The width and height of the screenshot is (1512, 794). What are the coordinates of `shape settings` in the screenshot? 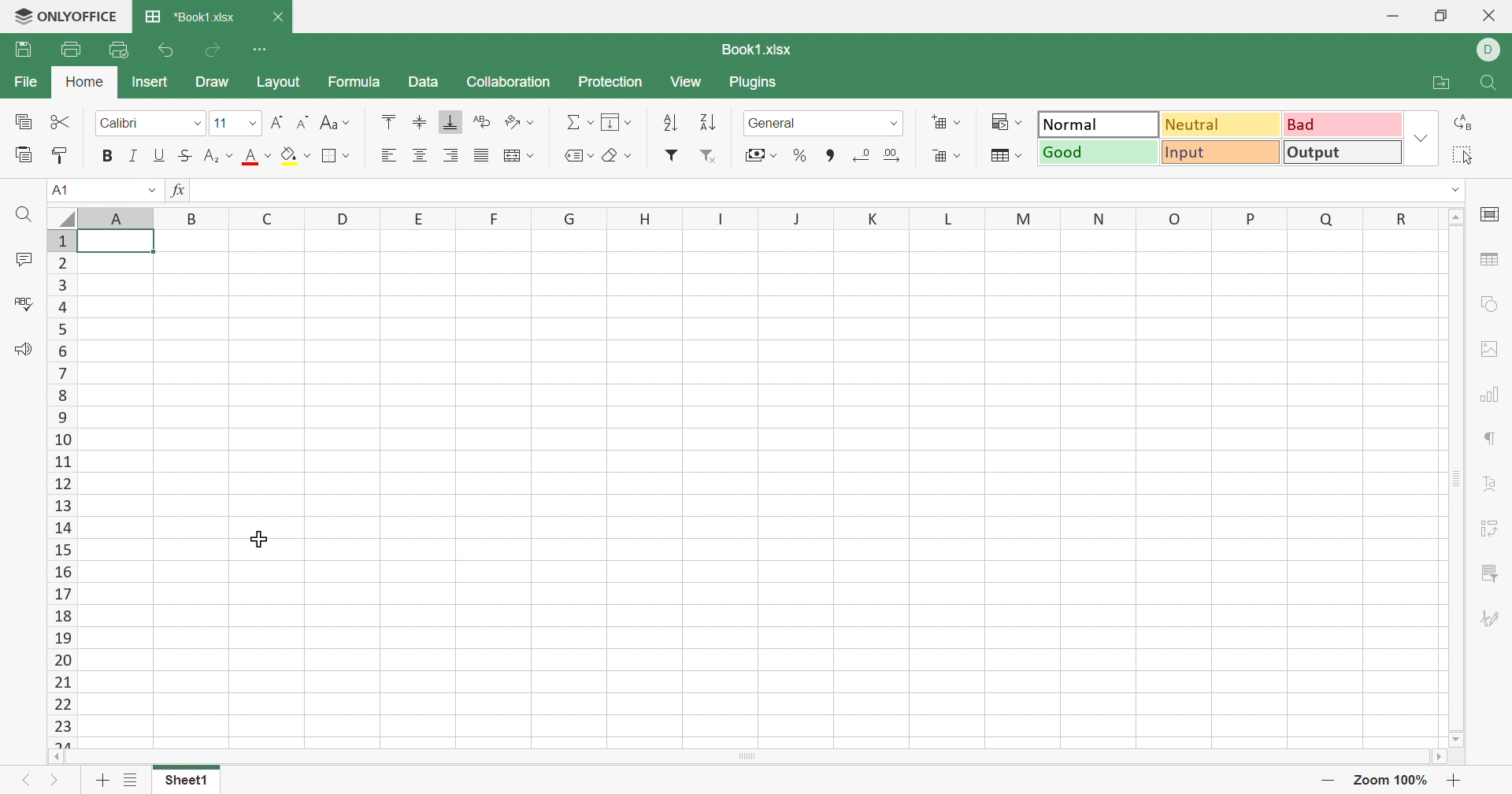 It's located at (1487, 307).